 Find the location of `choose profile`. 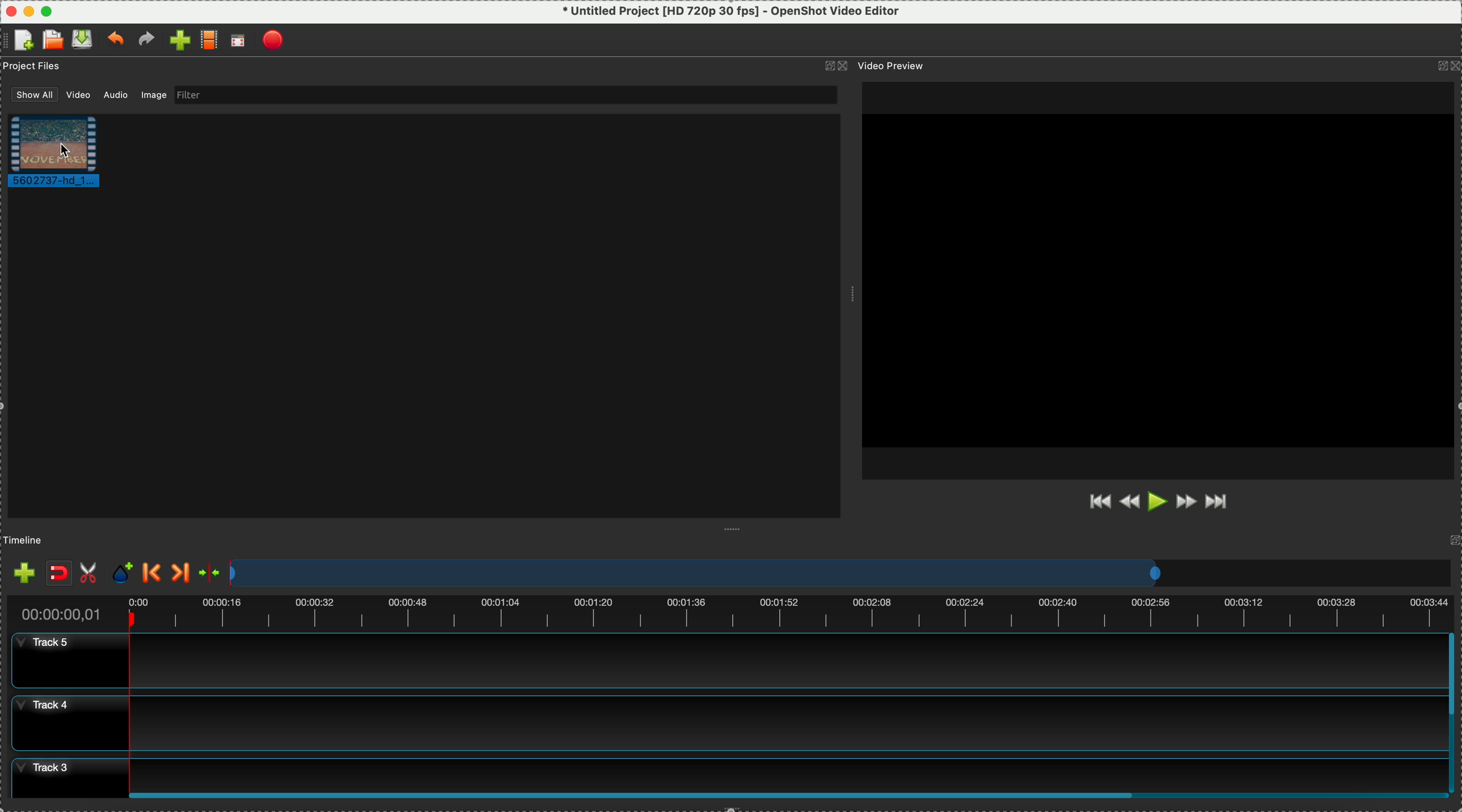

choose profile is located at coordinates (209, 41).